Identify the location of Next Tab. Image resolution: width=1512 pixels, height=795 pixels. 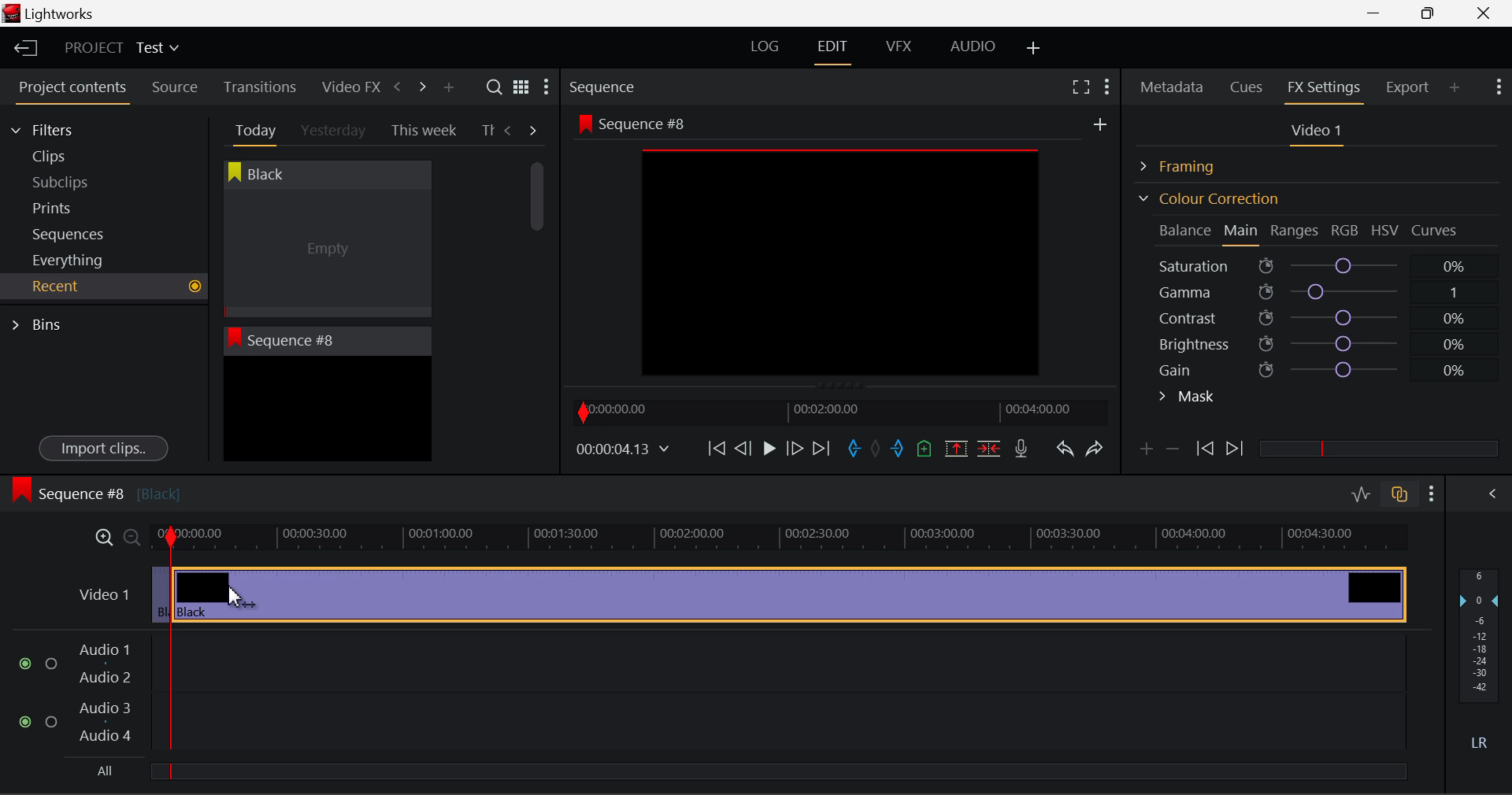
(534, 129).